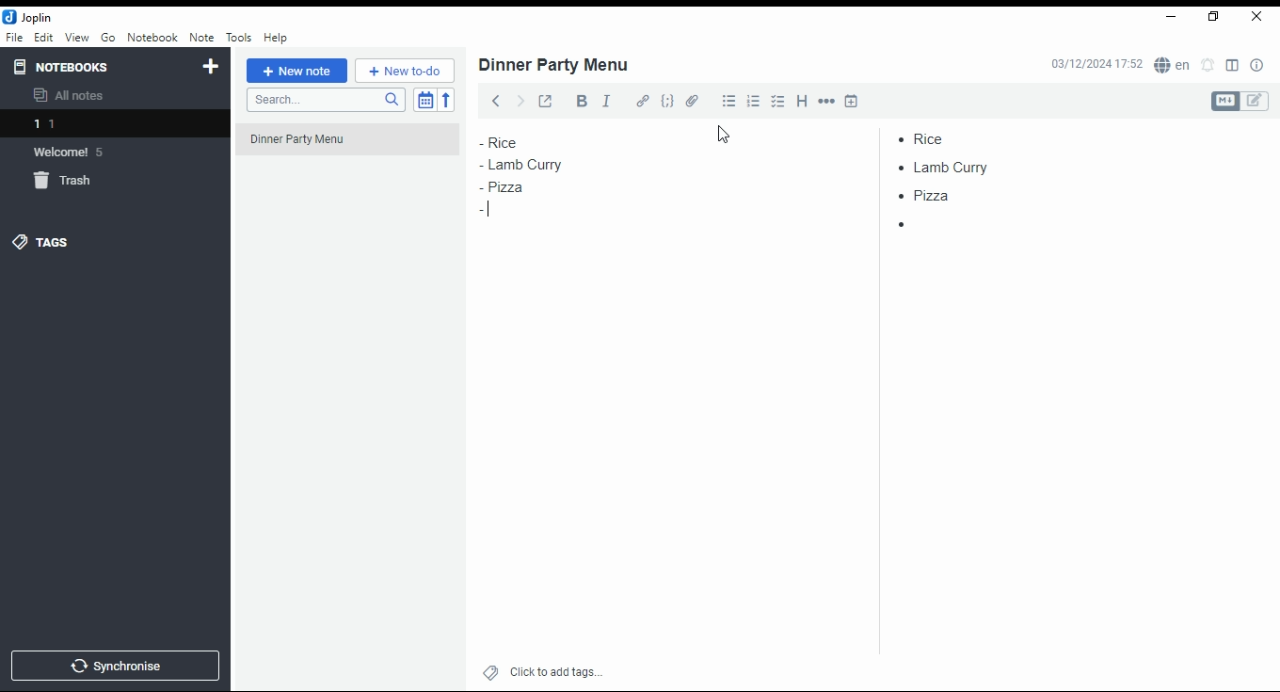  Describe the element at coordinates (66, 181) in the screenshot. I see `trash` at that location.